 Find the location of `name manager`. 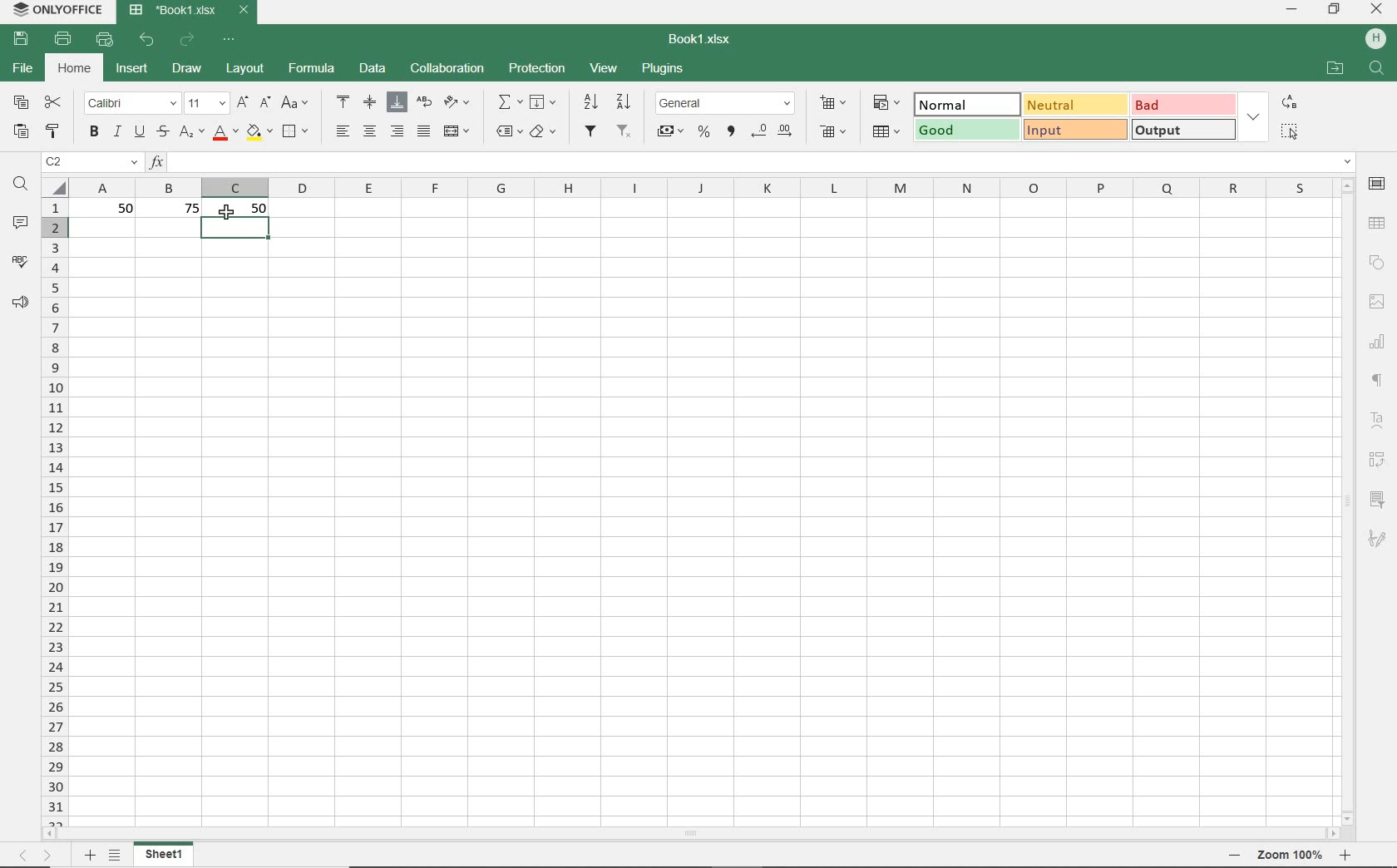

name manager is located at coordinates (91, 162).